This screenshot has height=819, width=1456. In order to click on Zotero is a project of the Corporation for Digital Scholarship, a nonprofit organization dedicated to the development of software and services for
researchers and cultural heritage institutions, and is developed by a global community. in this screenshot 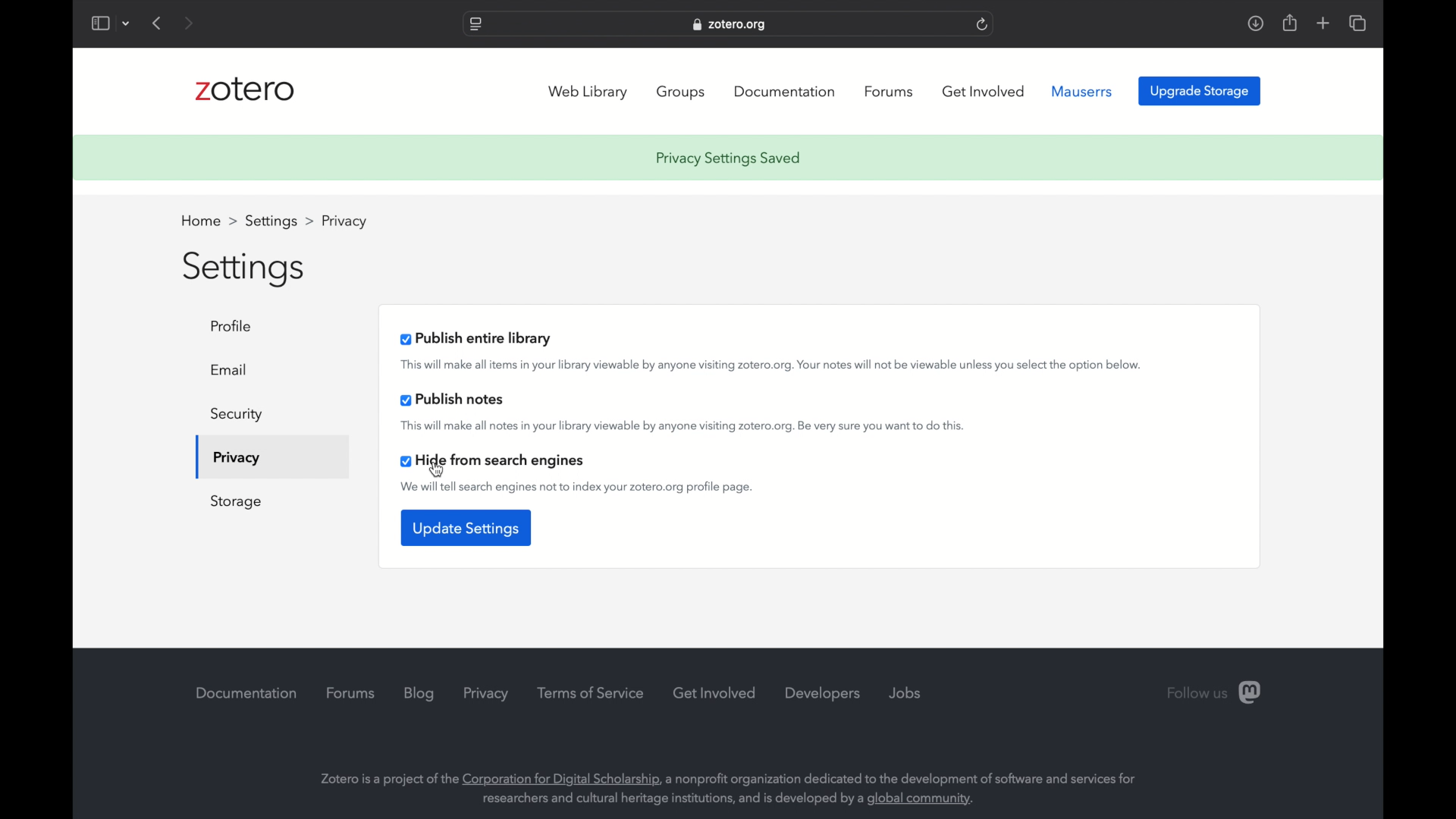, I will do `click(742, 786)`.